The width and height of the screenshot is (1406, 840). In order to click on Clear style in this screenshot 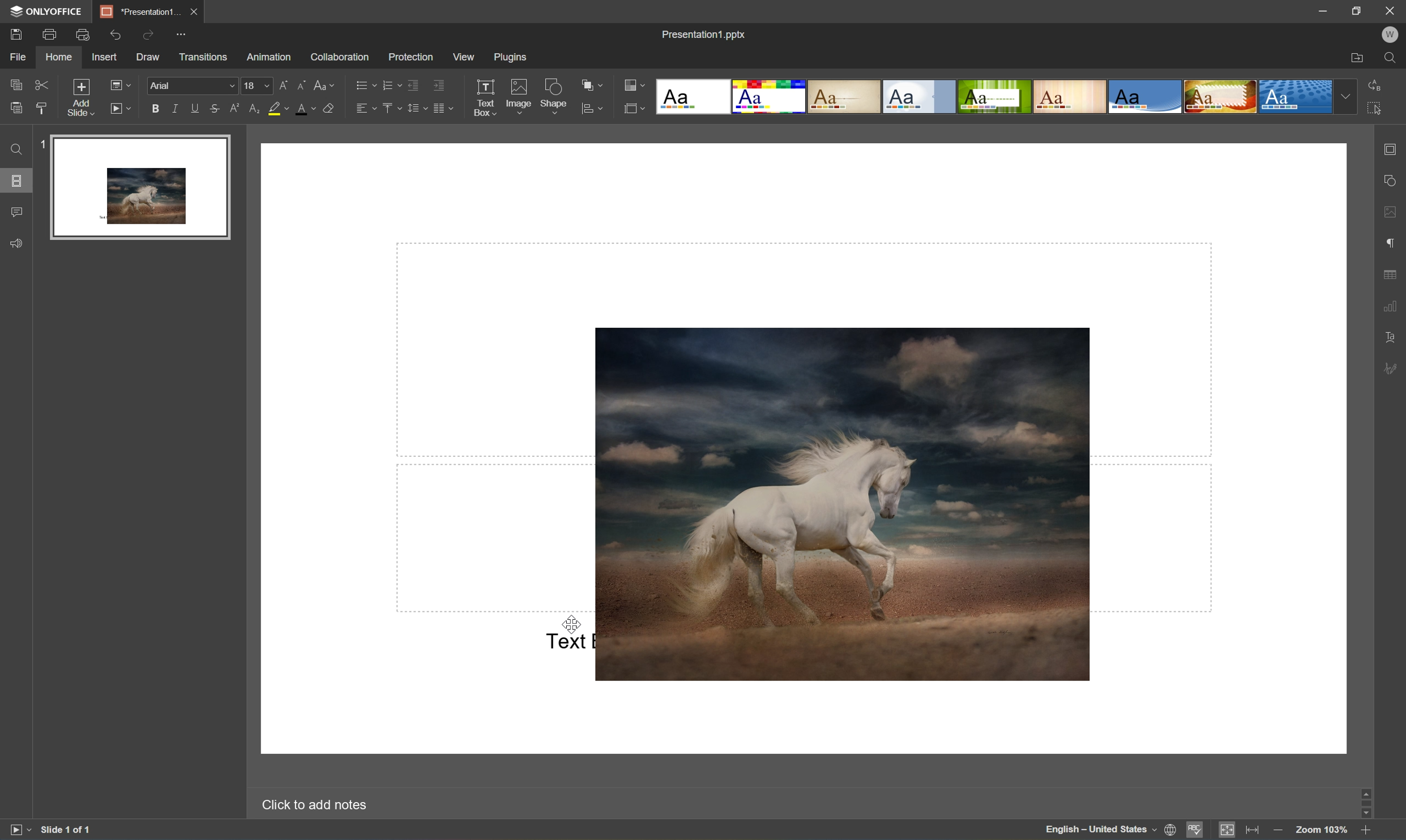, I will do `click(331, 109)`.